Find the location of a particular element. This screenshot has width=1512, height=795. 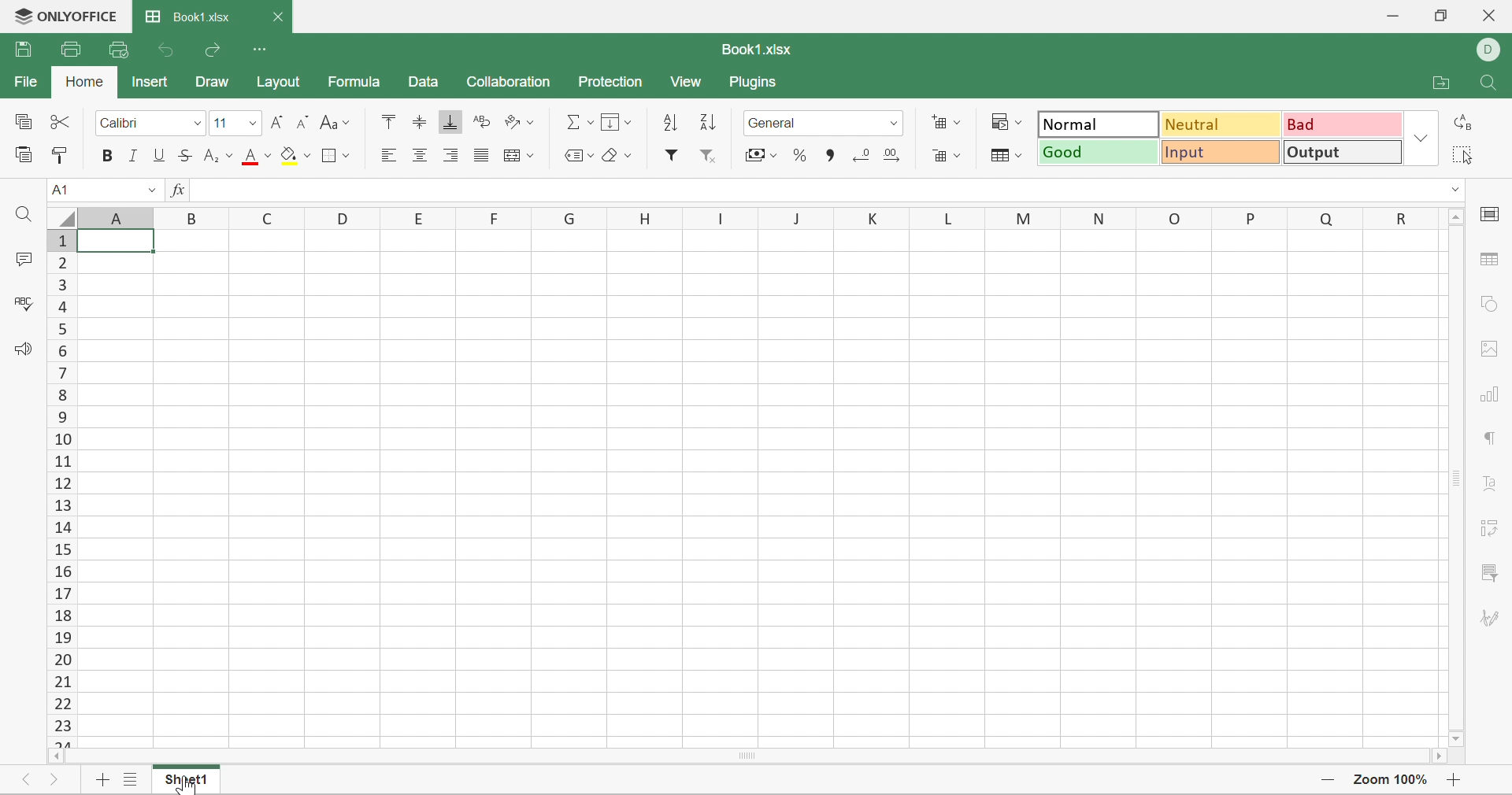

Align Top is located at coordinates (385, 121).